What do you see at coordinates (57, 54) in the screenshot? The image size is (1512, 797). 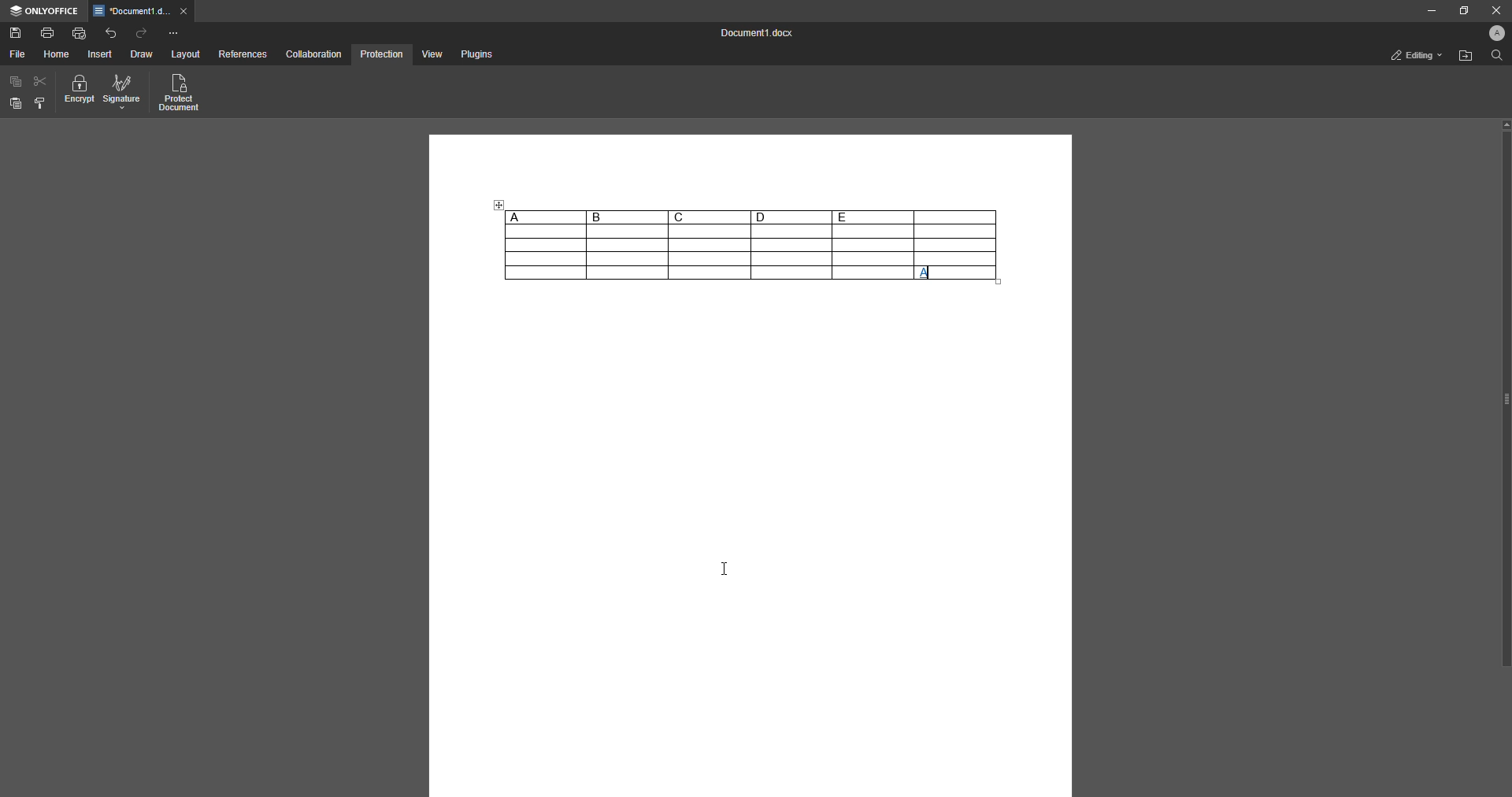 I see `Home` at bounding box center [57, 54].